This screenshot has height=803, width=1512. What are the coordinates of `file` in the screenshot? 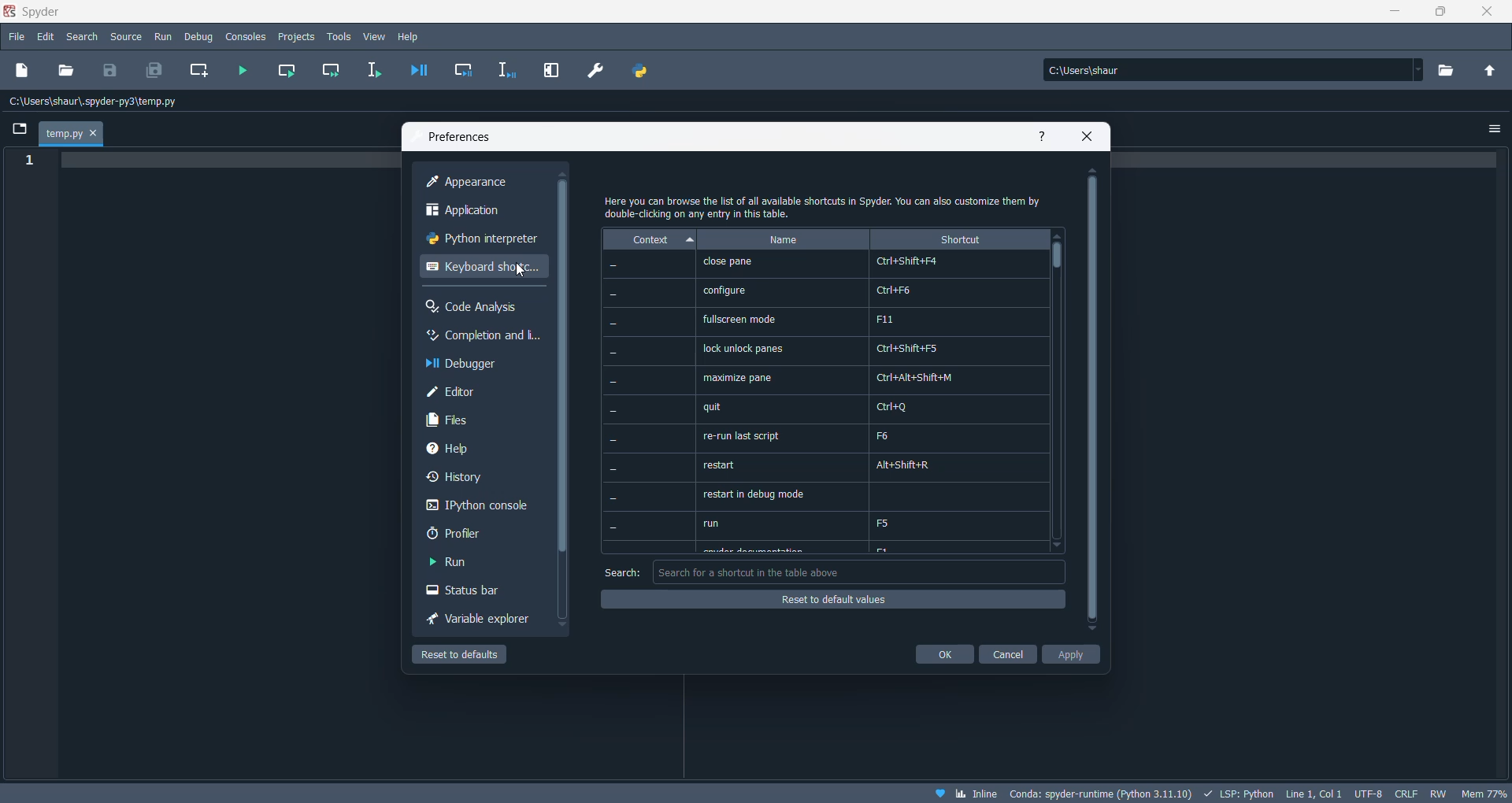 It's located at (16, 35).